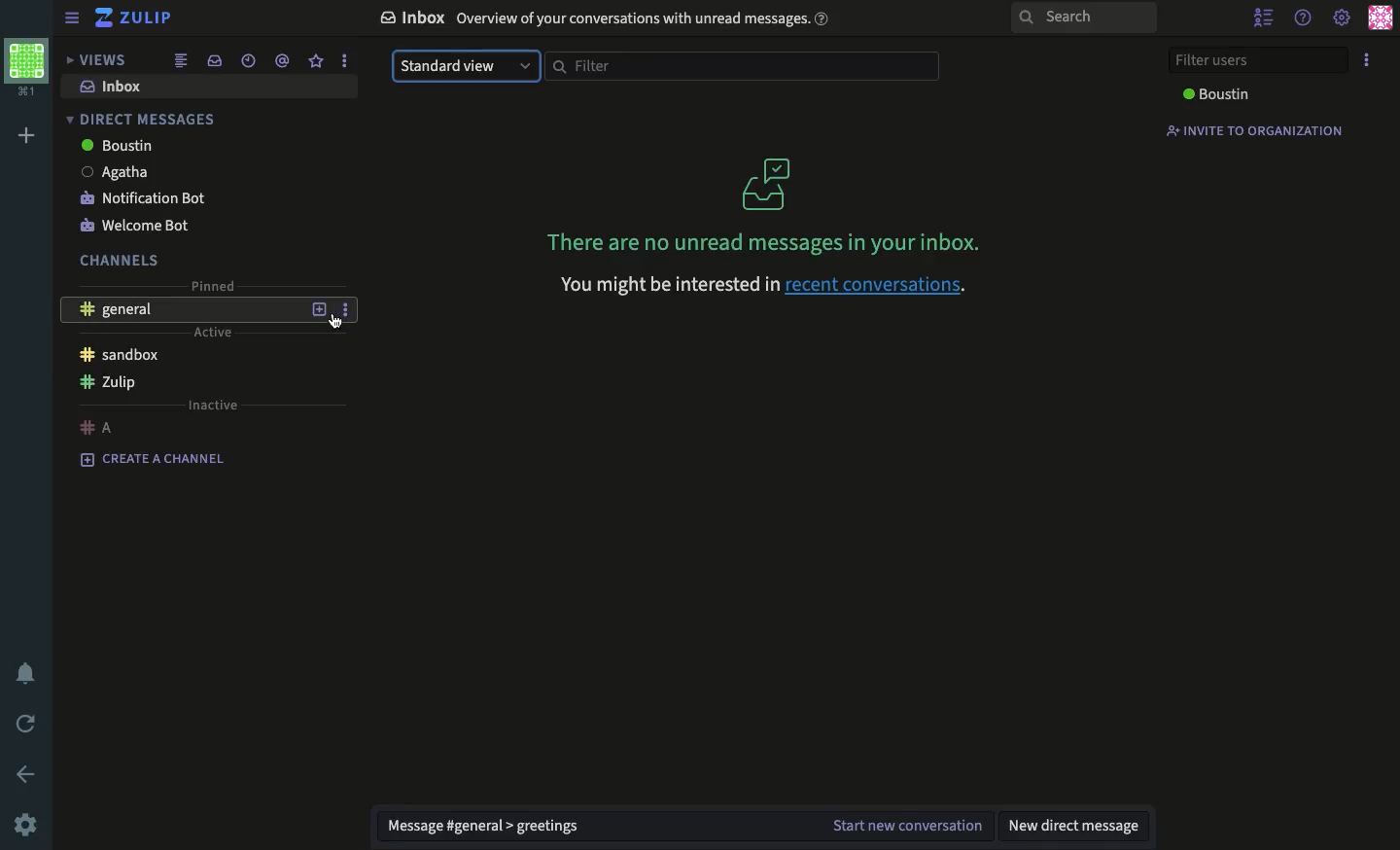 The width and height of the screenshot is (1400, 850). I want to click on workspace profile, so click(28, 69).